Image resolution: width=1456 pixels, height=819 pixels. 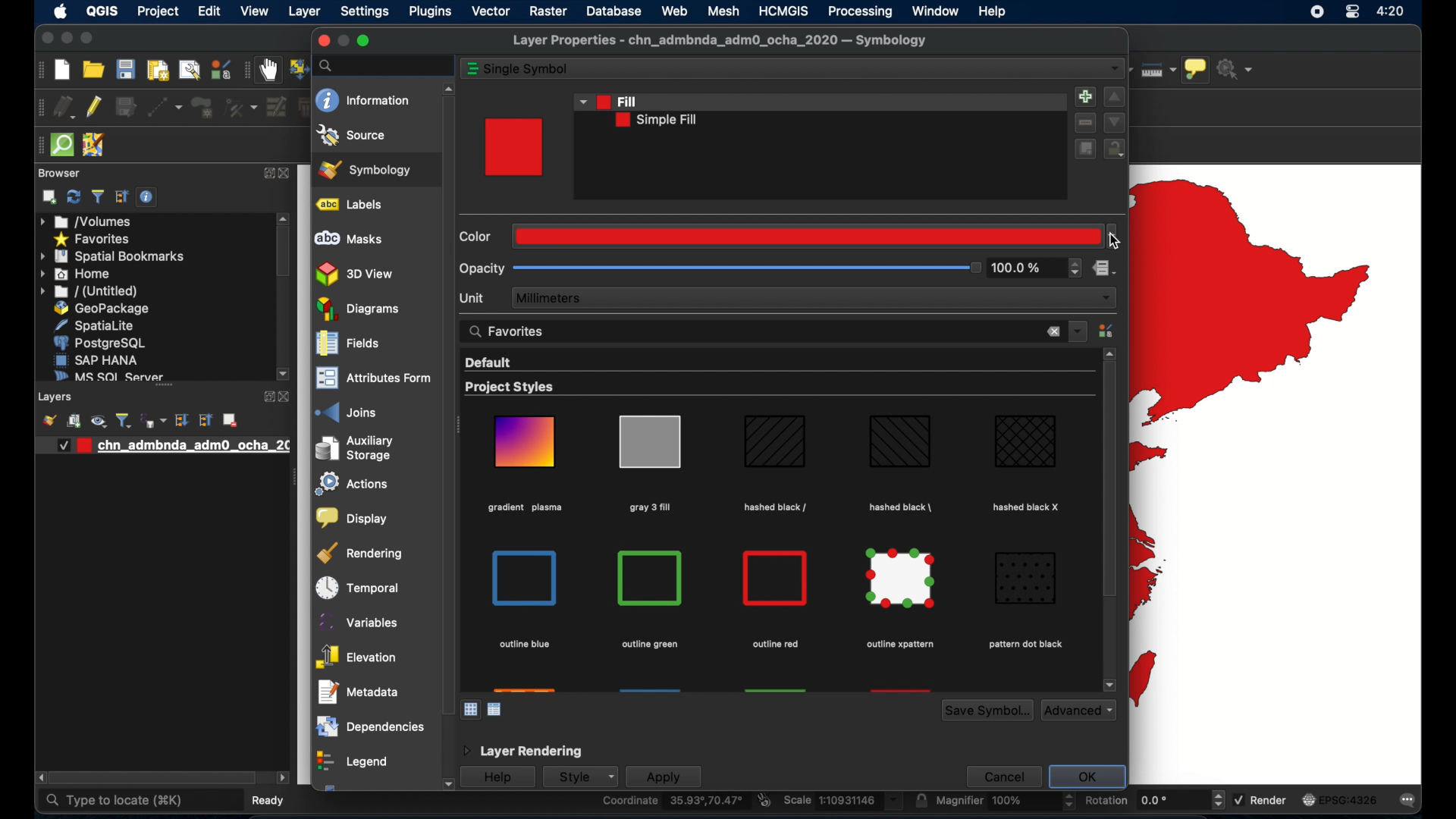 I want to click on spatial bookmarks, so click(x=113, y=256).